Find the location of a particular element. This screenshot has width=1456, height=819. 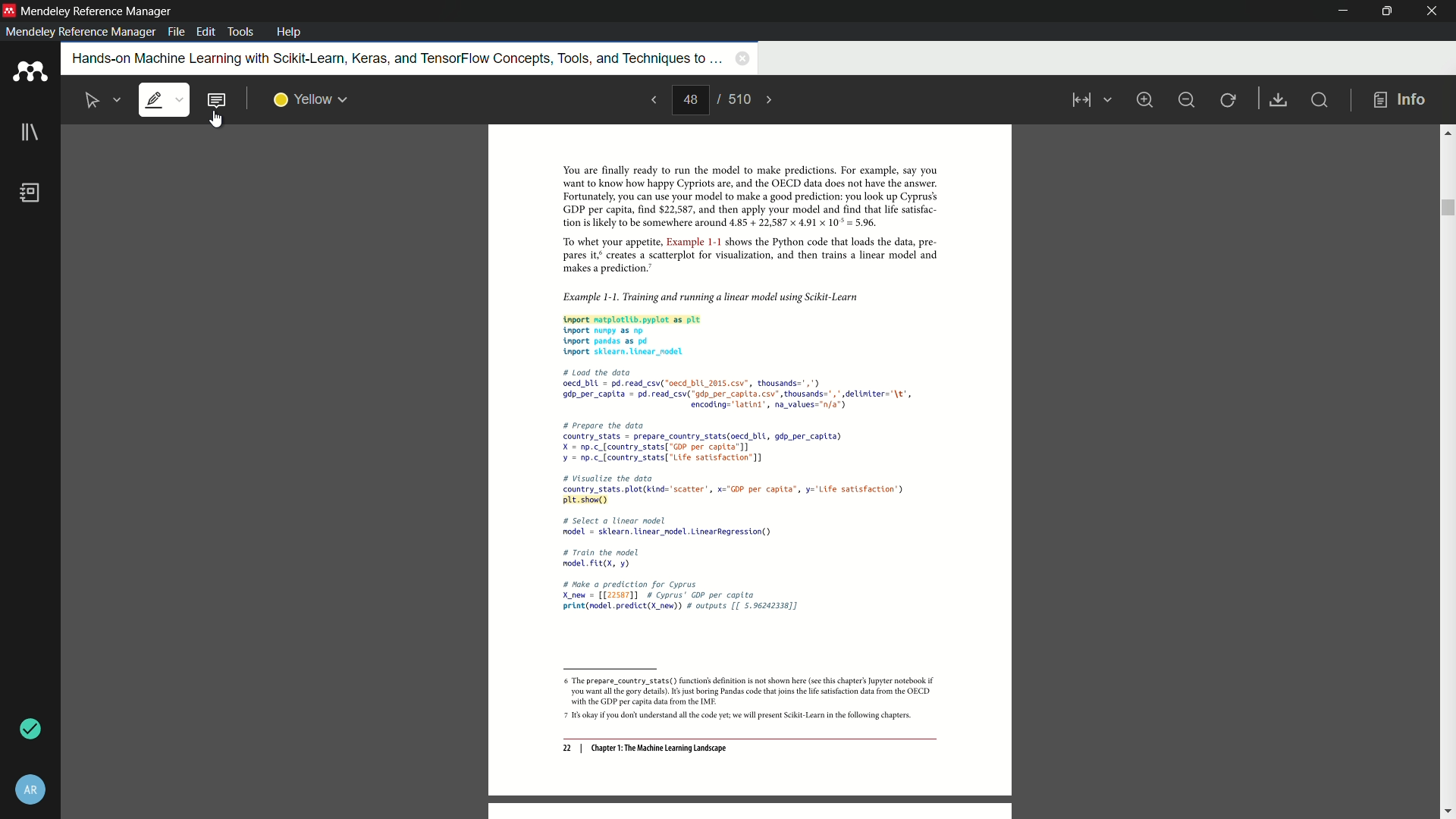

add note is located at coordinates (215, 101).